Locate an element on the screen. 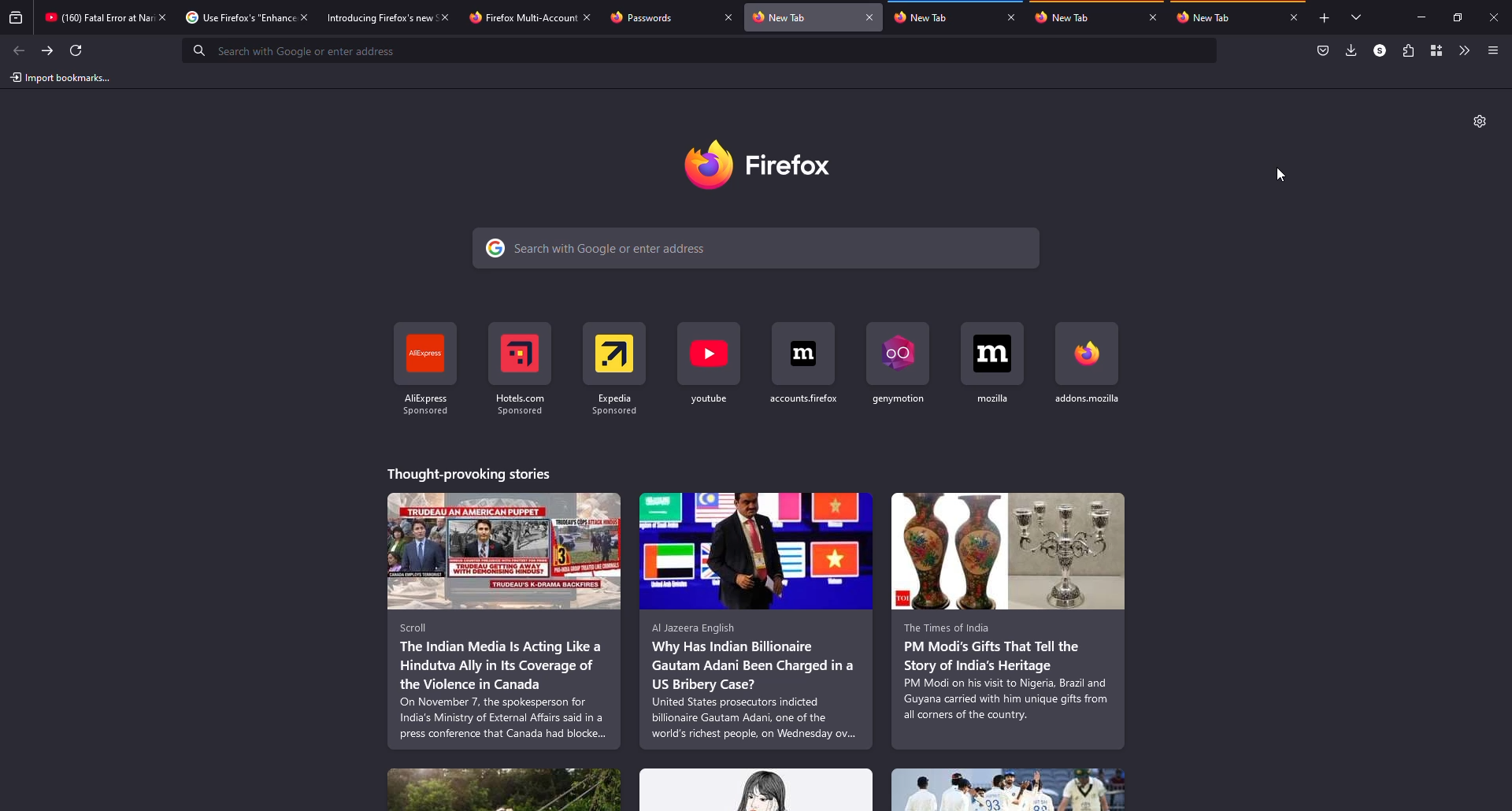 This screenshot has height=811, width=1512. close is located at coordinates (304, 17).